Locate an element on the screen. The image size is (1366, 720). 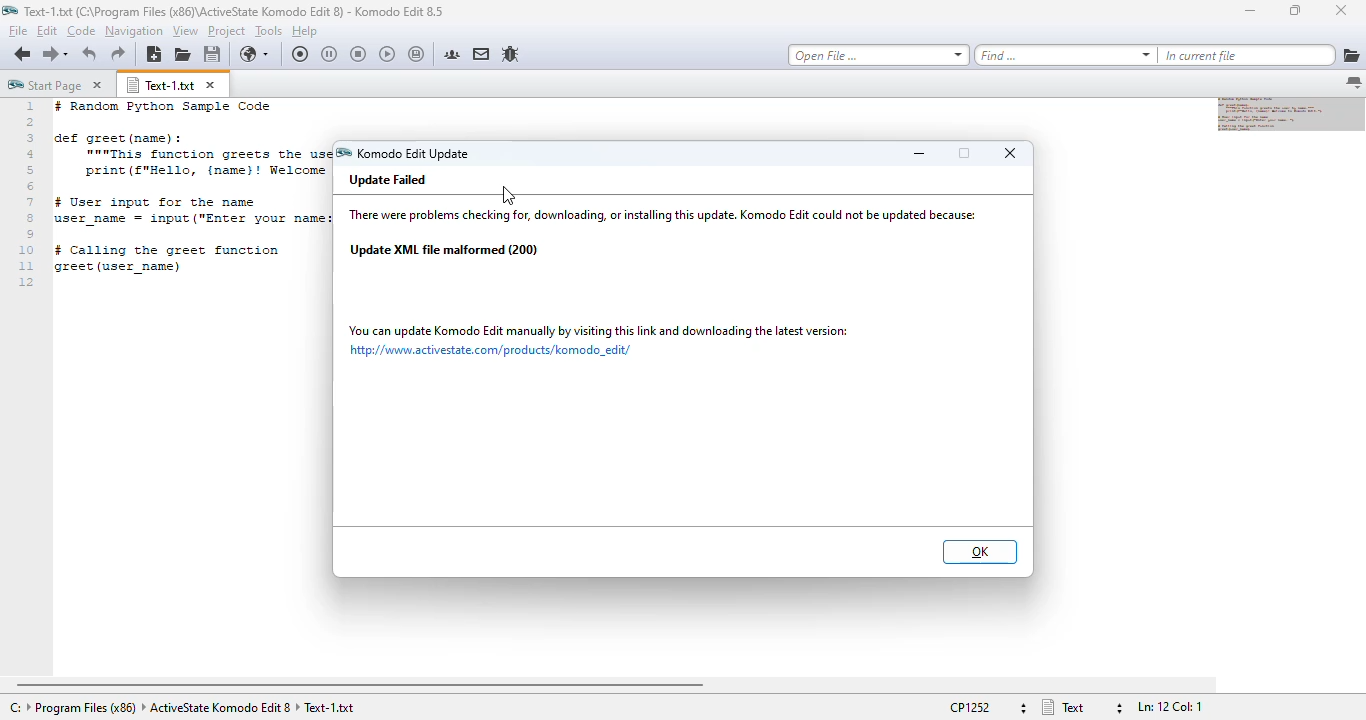
close is located at coordinates (1011, 153).